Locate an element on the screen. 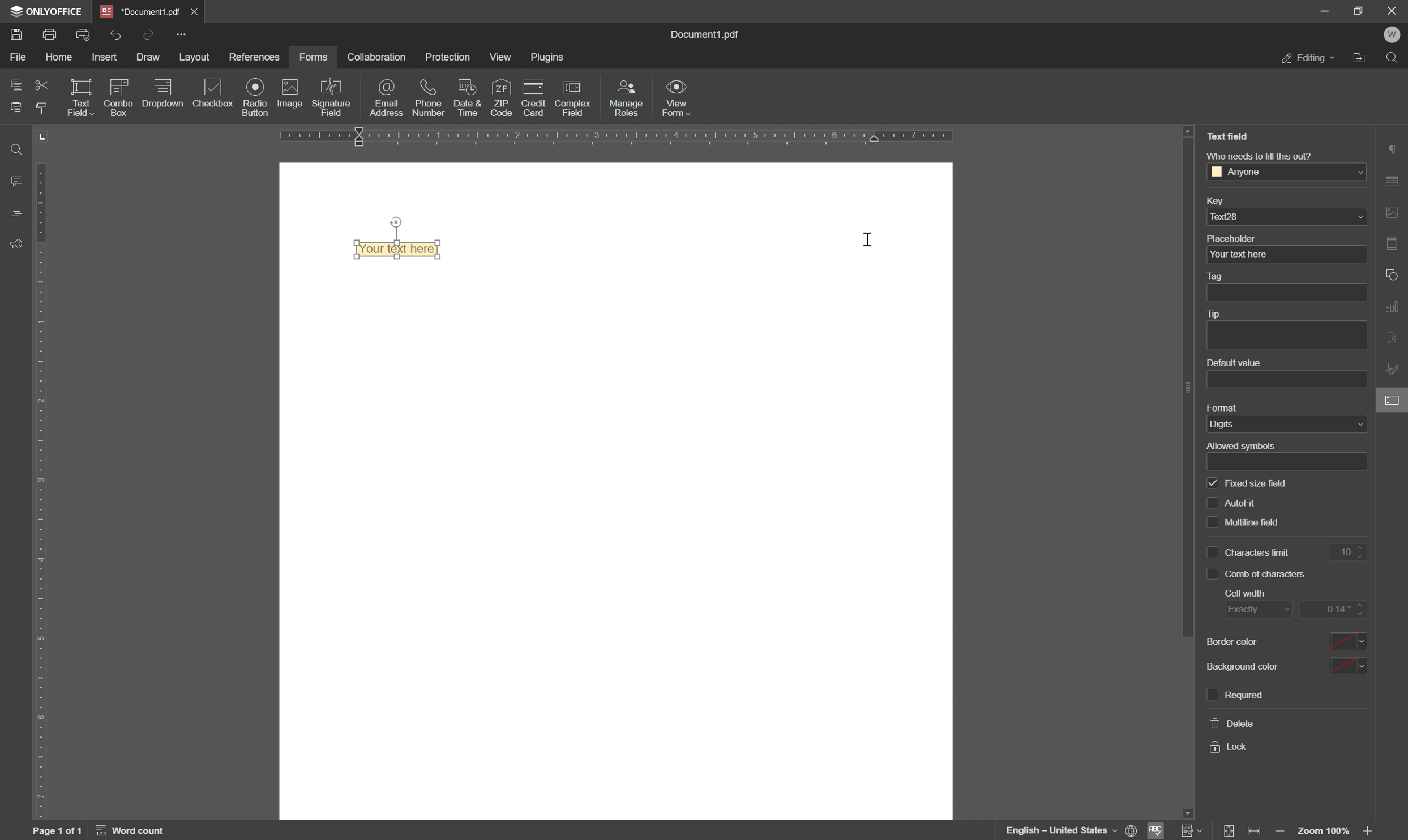 This screenshot has width=1408, height=840. credit card is located at coordinates (533, 98).